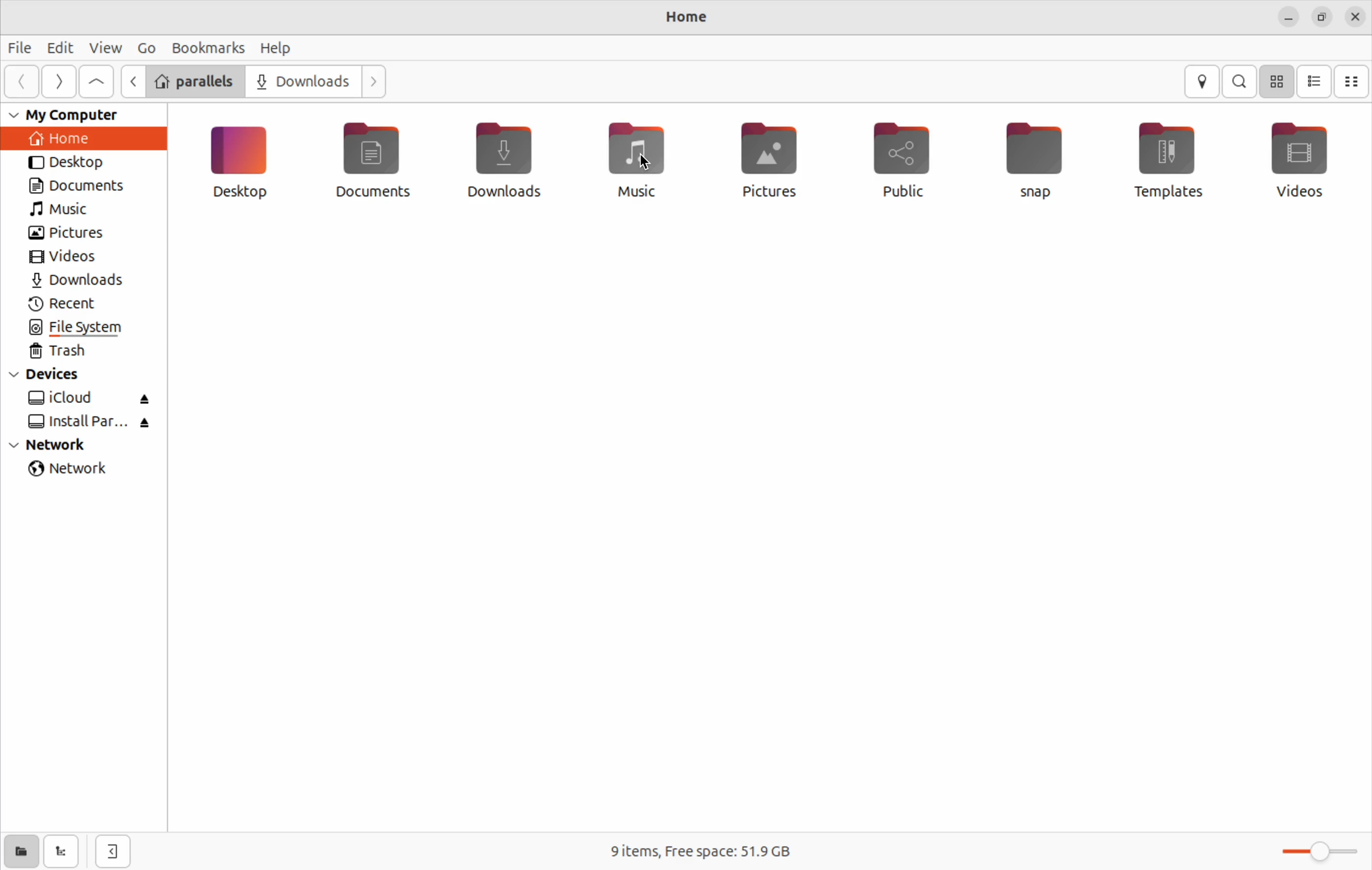 The height and width of the screenshot is (870, 1372). Describe the element at coordinates (72, 304) in the screenshot. I see `recent` at that location.